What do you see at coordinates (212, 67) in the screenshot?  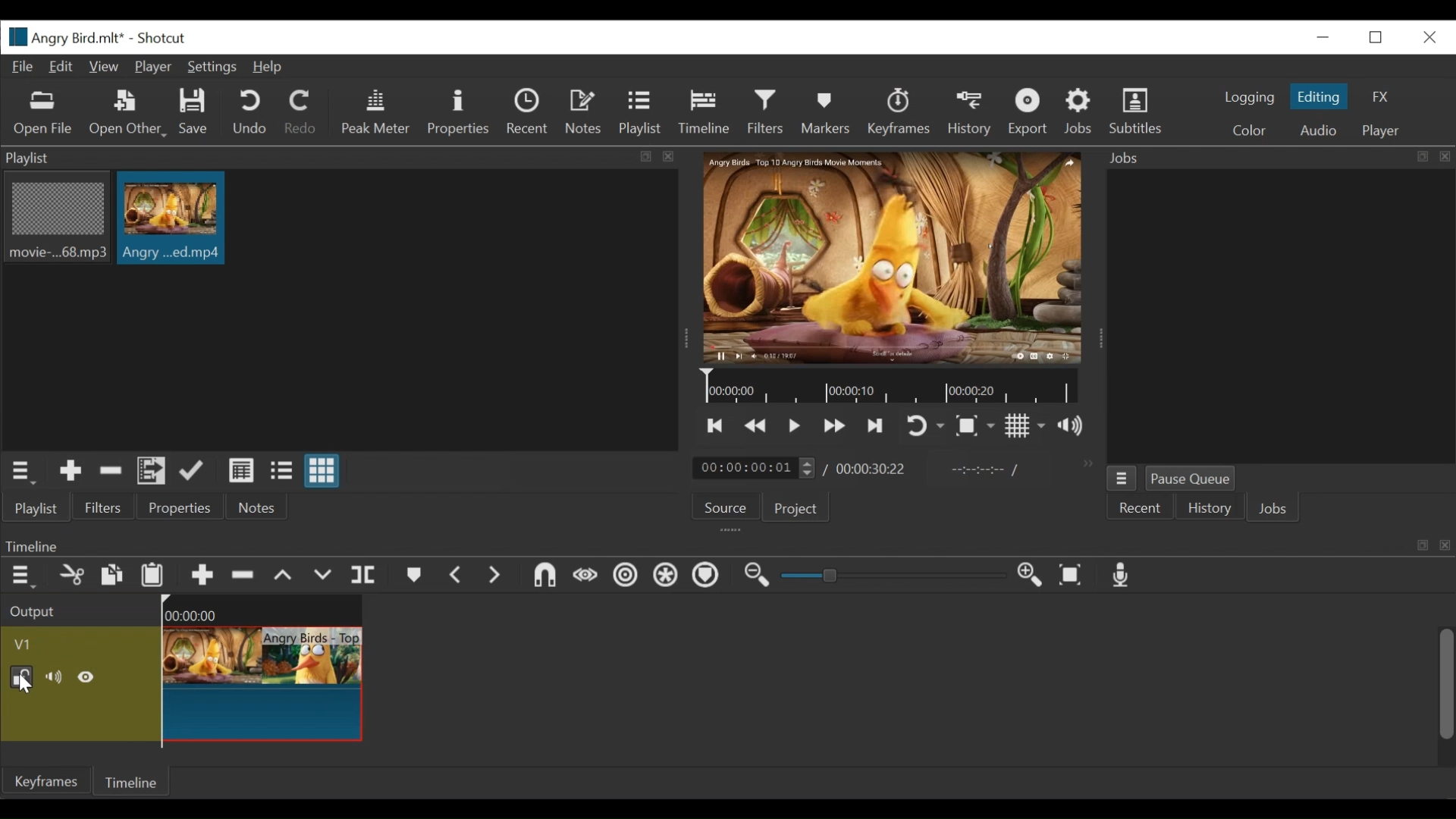 I see `Settings` at bounding box center [212, 67].